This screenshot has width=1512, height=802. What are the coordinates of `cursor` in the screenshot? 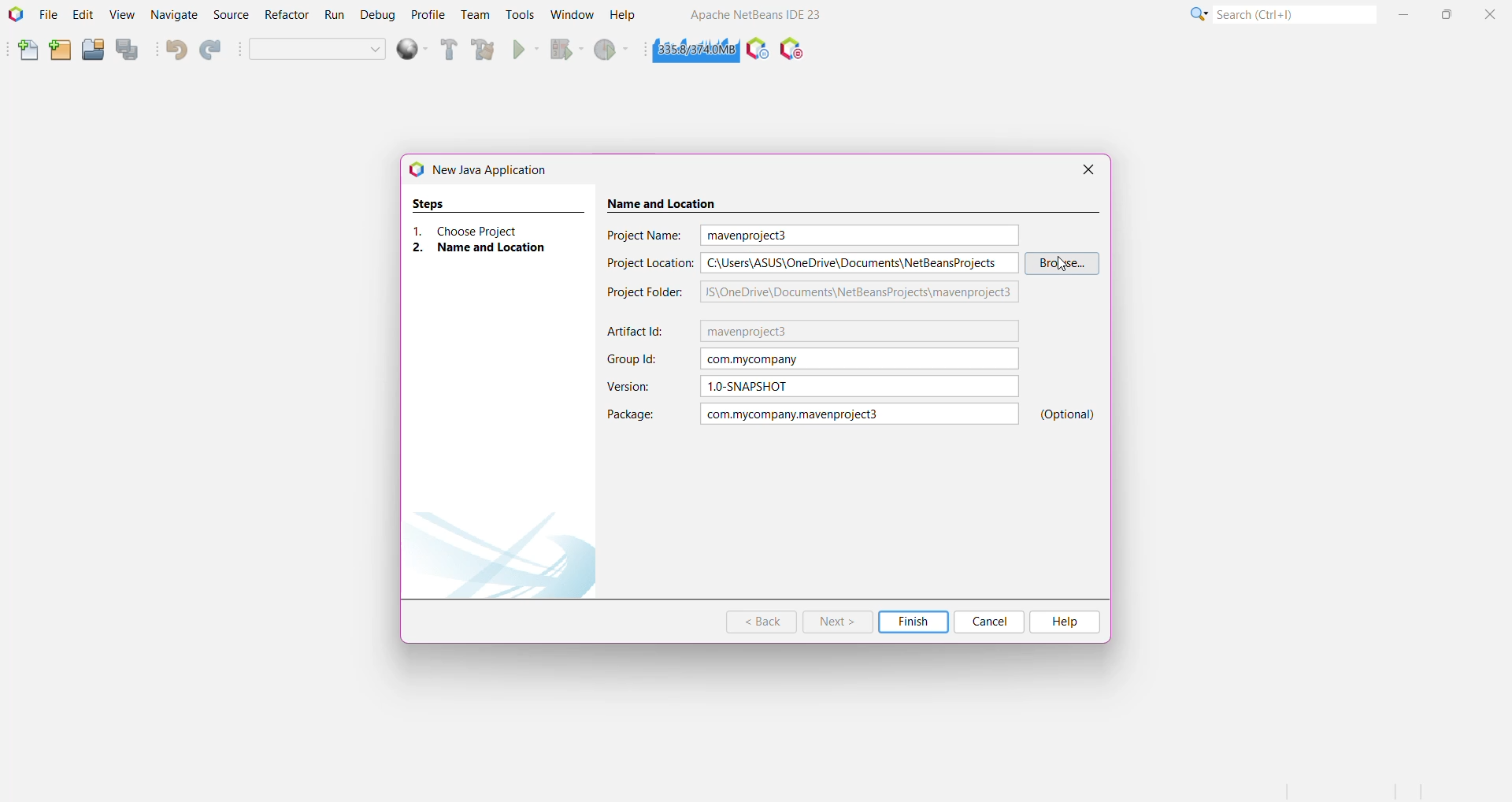 It's located at (1064, 264).